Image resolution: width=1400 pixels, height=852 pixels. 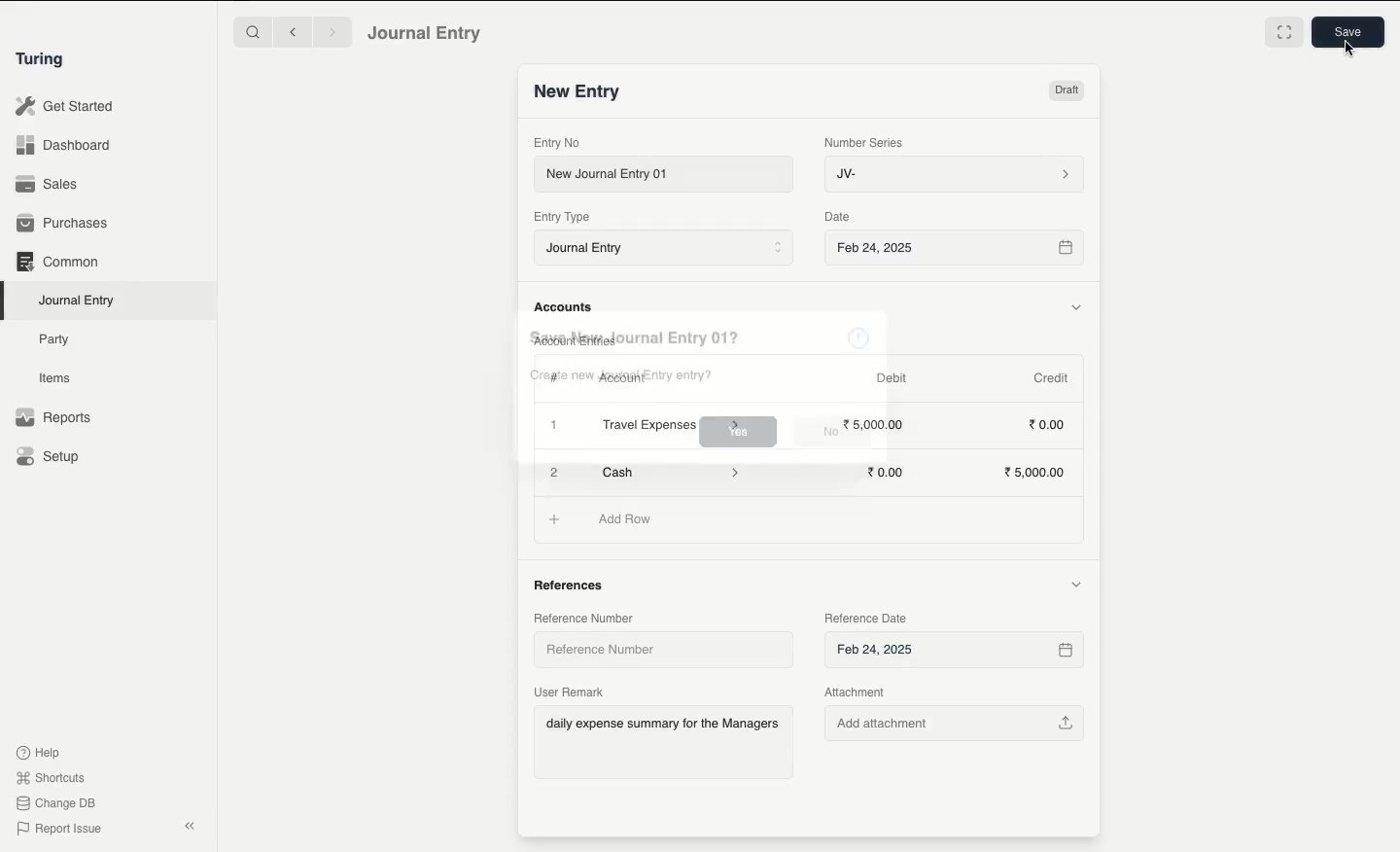 What do you see at coordinates (956, 720) in the screenshot?
I see `Add attachment` at bounding box center [956, 720].